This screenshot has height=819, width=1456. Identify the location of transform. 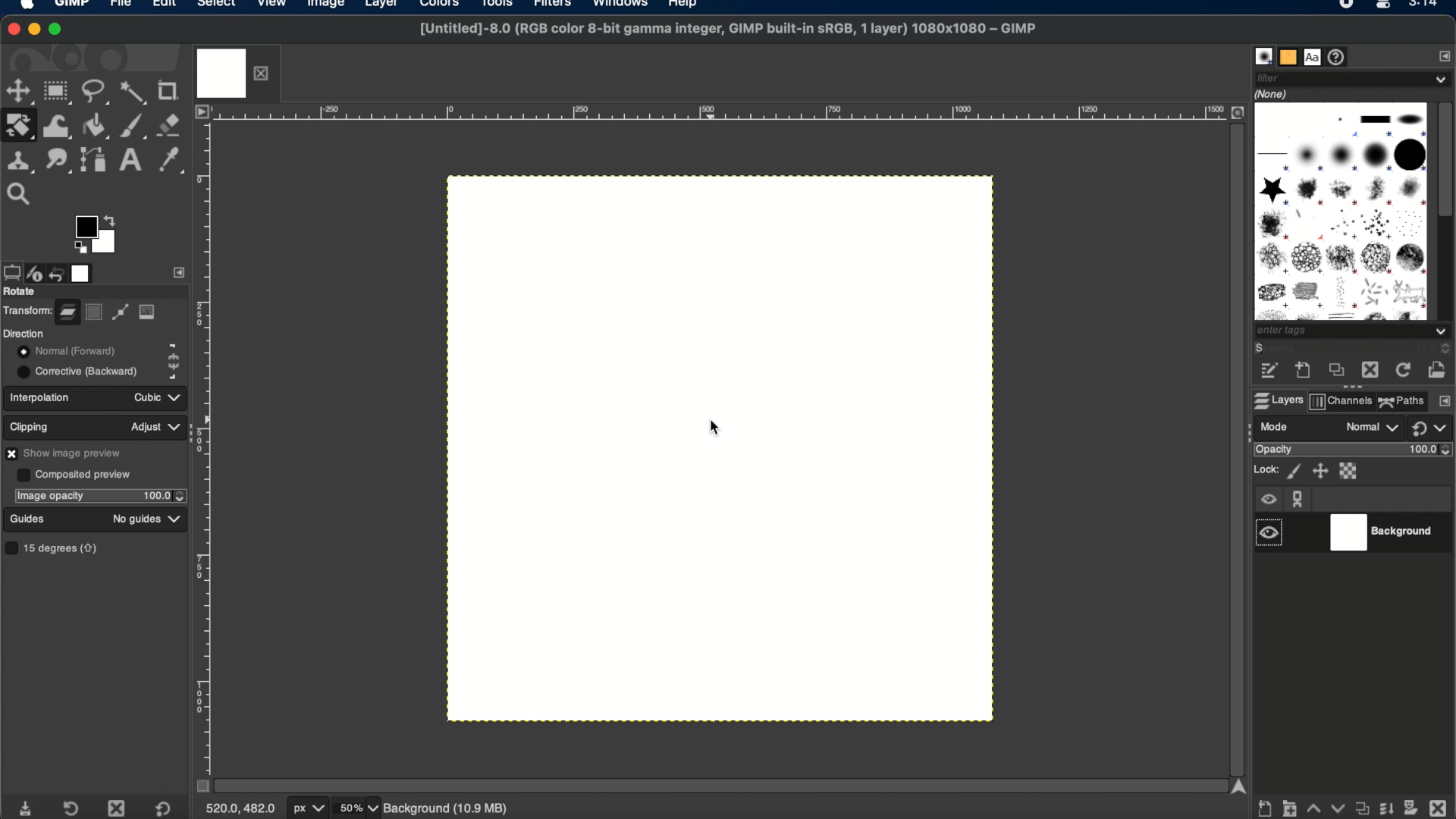
(27, 309).